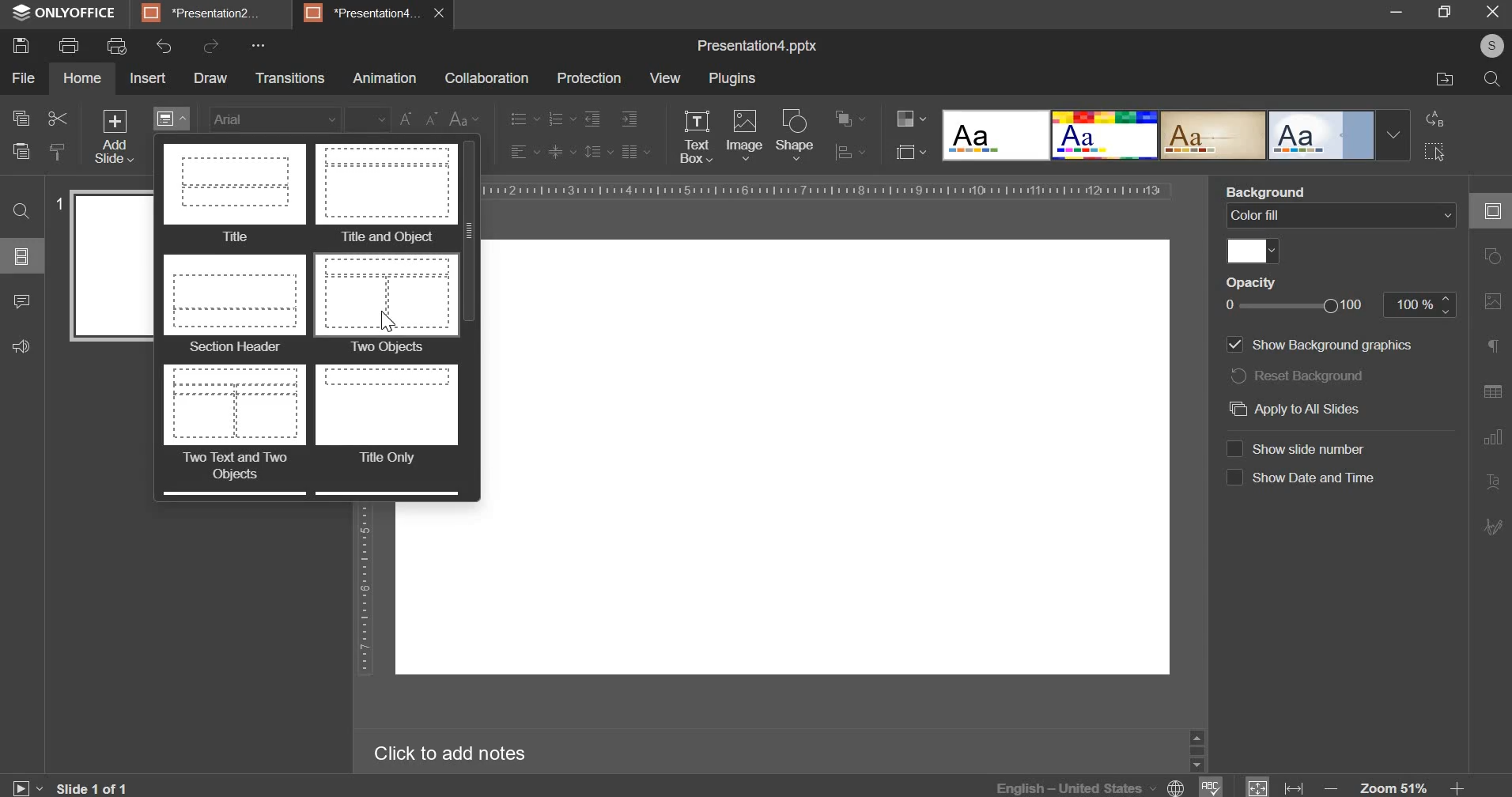 The height and width of the screenshot is (797, 1512). I want to click on insert, so click(148, 79).